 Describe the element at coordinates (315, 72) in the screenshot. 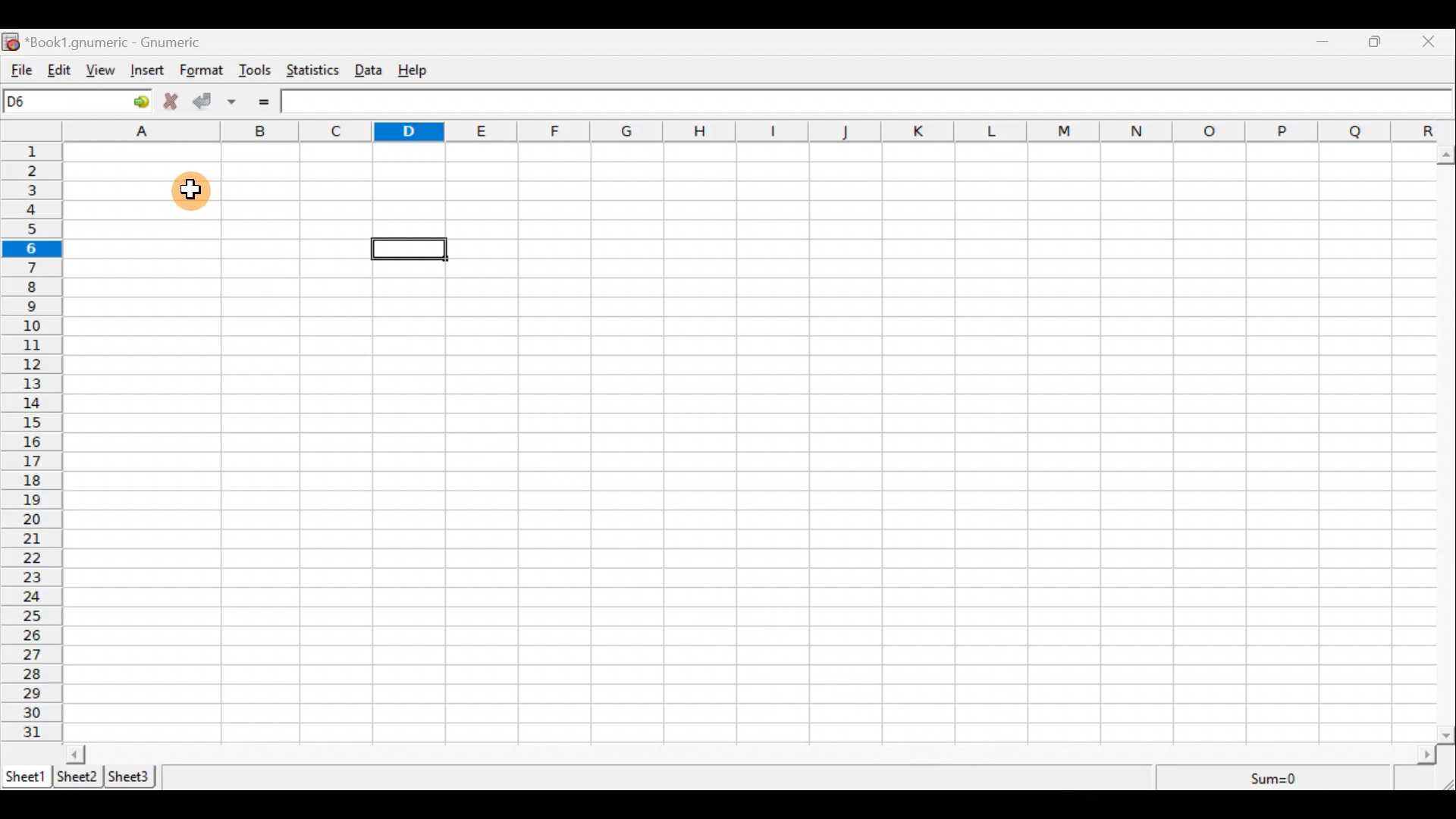

I see `Statistics` at that location.